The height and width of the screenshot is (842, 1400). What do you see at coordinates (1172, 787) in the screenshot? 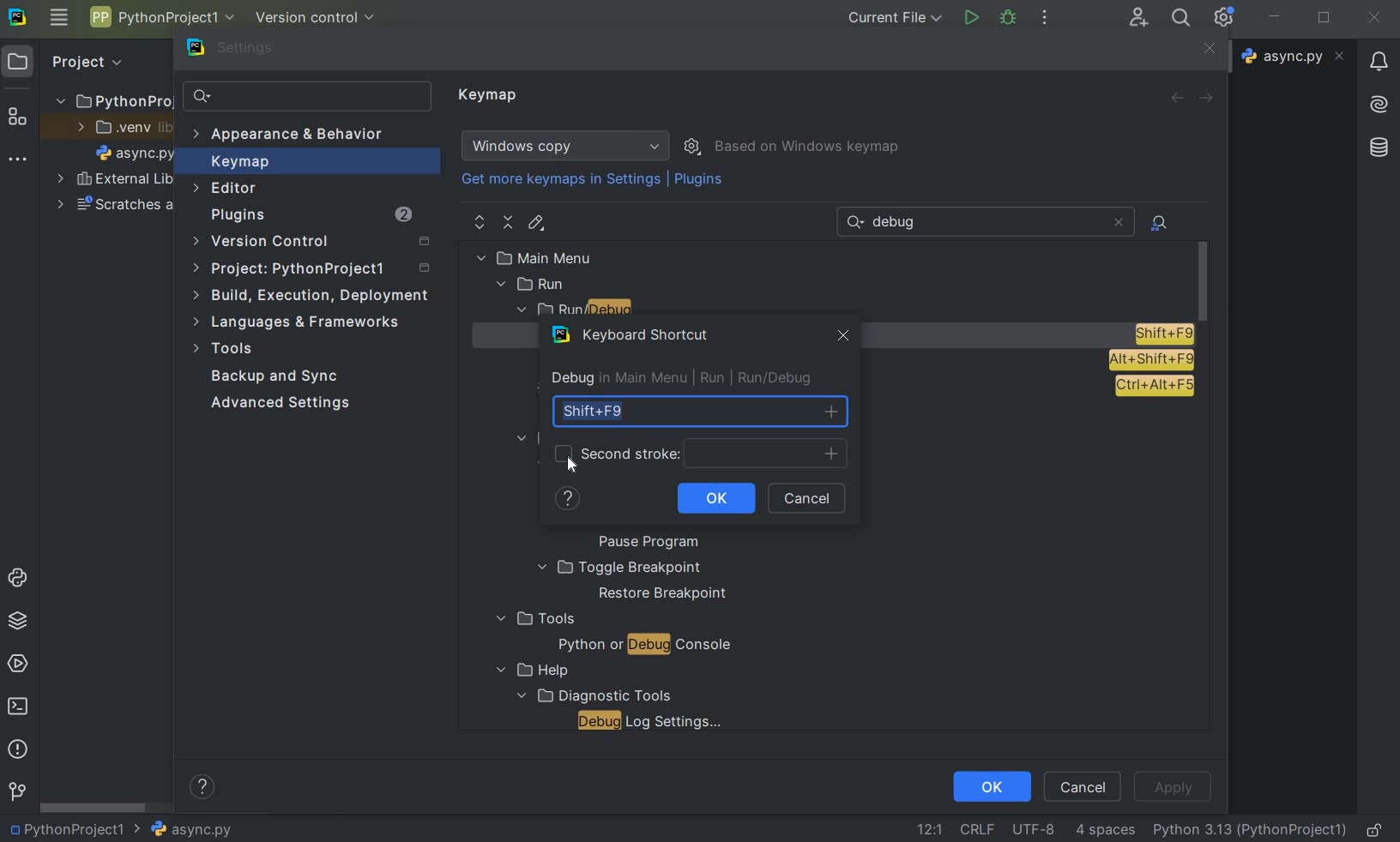
I see `apply` at bounding box center [1172, 787].